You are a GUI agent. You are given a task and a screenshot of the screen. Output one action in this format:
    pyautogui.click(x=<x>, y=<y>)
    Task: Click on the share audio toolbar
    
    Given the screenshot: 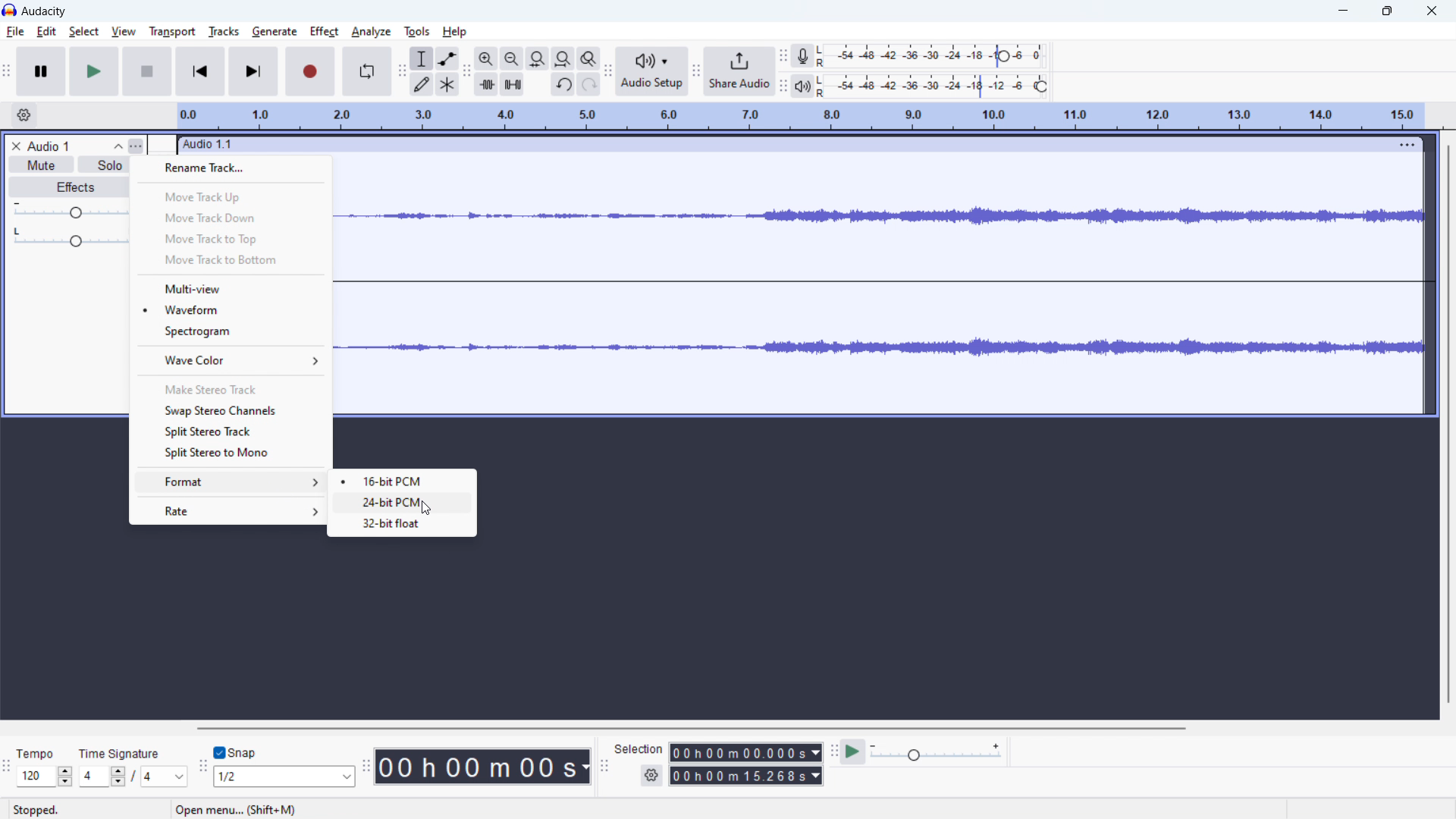 What is the action you would take?
    pyautogui.click(x=697, y=71)
    